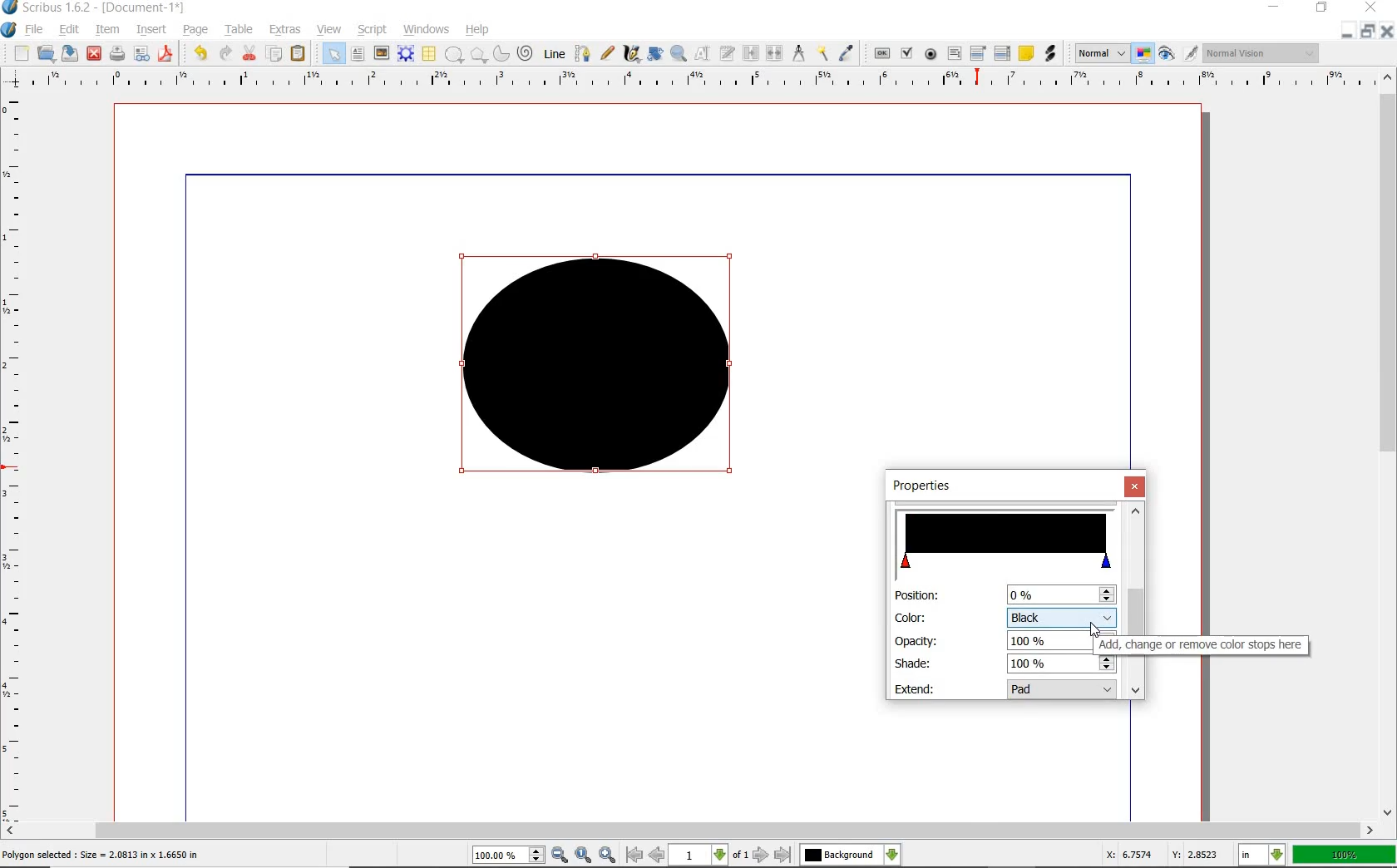 This screenshot has width=1397, height=868. What do you see at coordinates (1261, 853) in the screenshot?
I see `select current unit` at bounding box center [1261, 853].